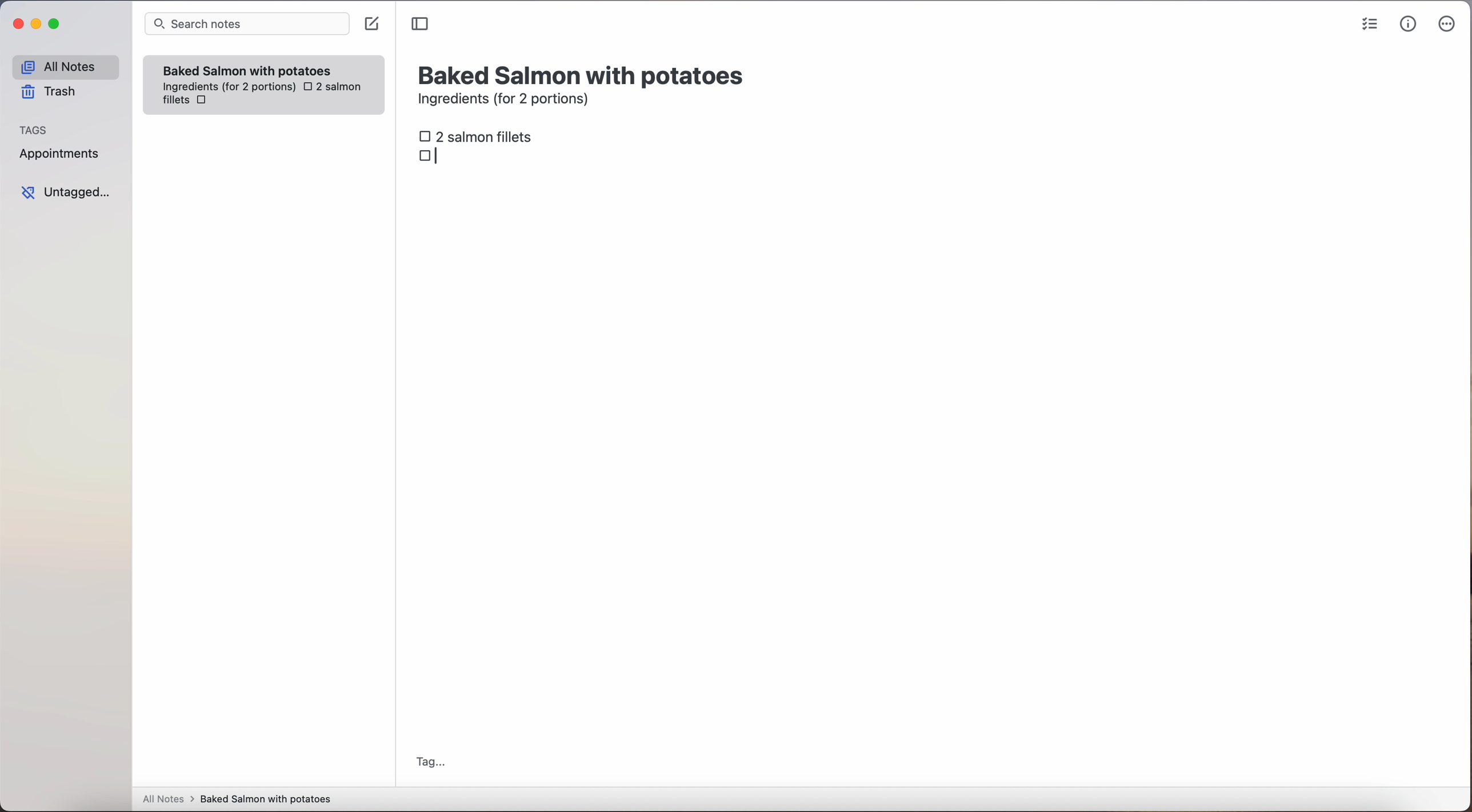 The height and width of the screenshot is (812, 1472). What do you see at coordinates (177, 101) in the screenshot?
I see `fillets` at bounding box center [177, 101].